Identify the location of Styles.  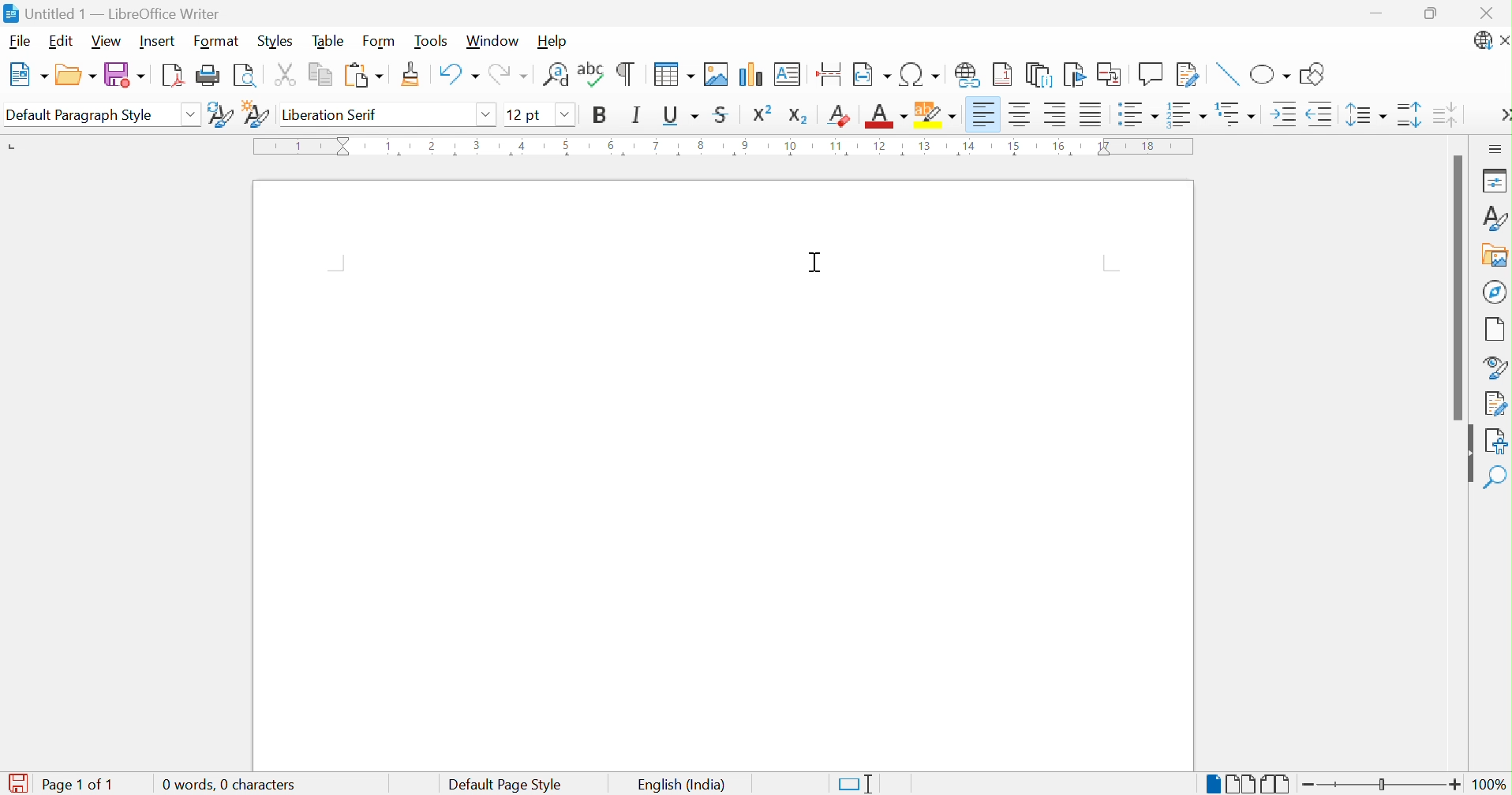
(281, 42).